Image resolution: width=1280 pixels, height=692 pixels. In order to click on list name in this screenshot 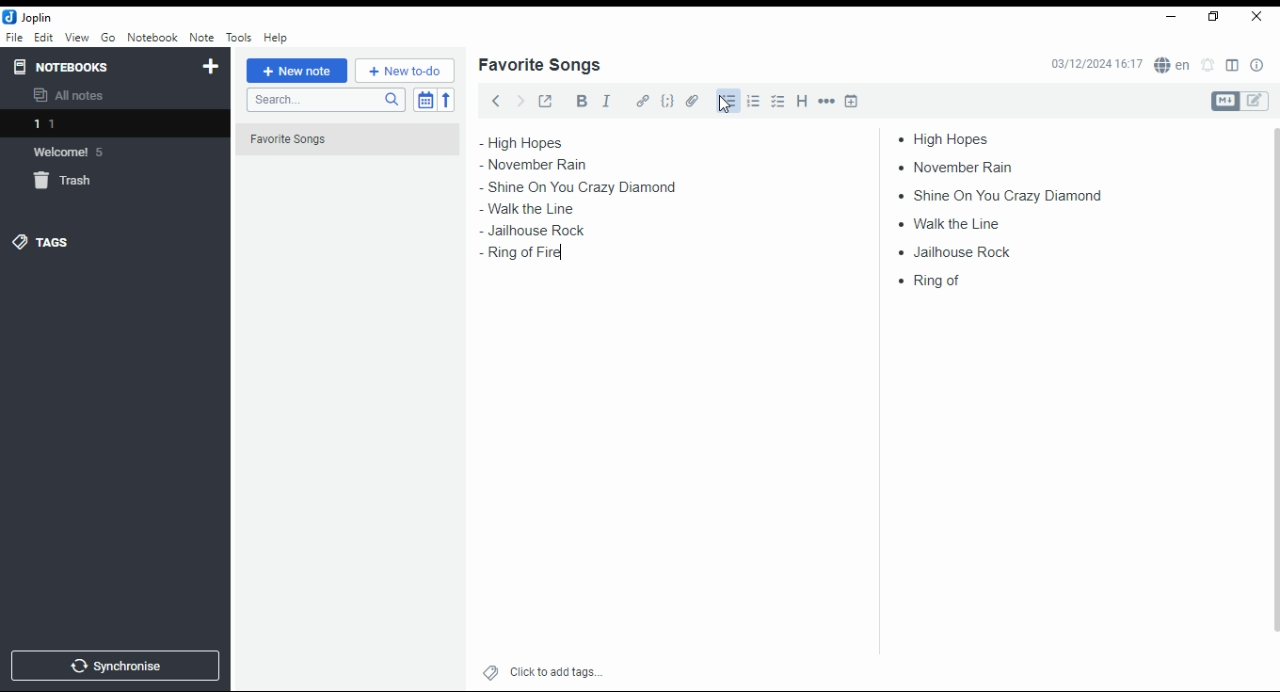, I will do `click(539, 66)`.